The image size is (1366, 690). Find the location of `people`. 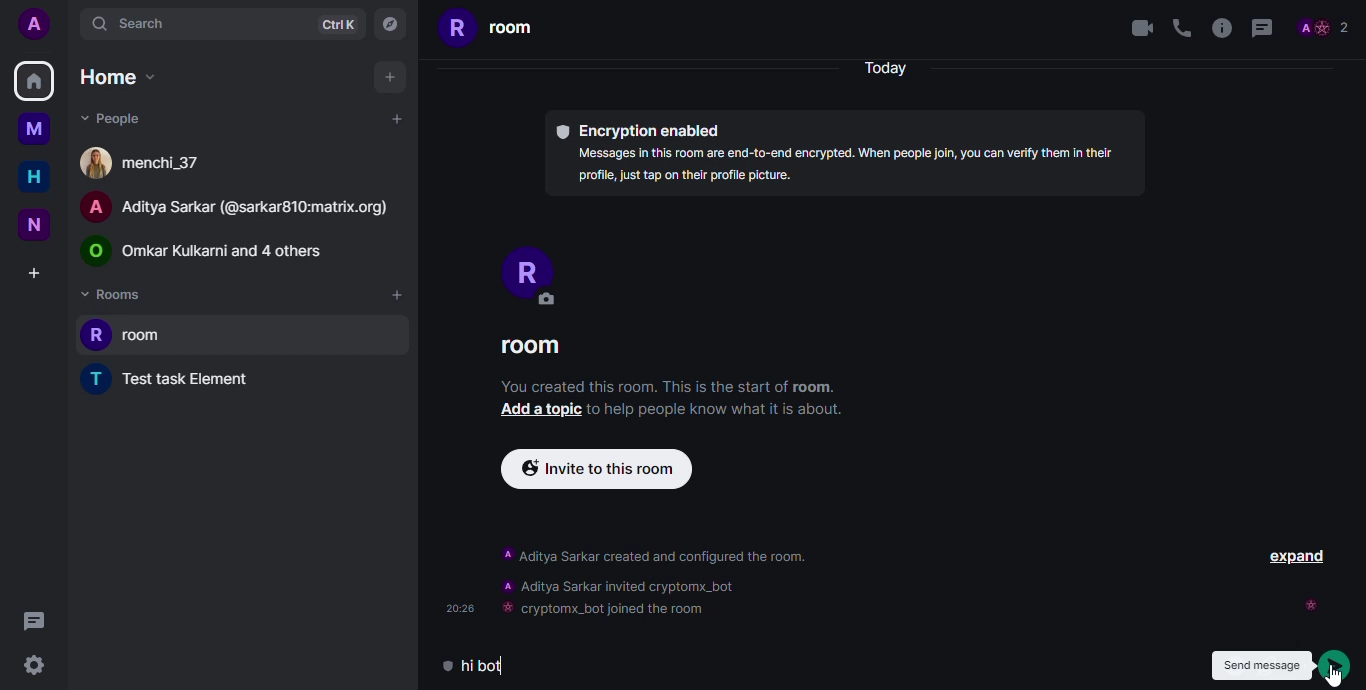

people is located at coordinates (122, 118).